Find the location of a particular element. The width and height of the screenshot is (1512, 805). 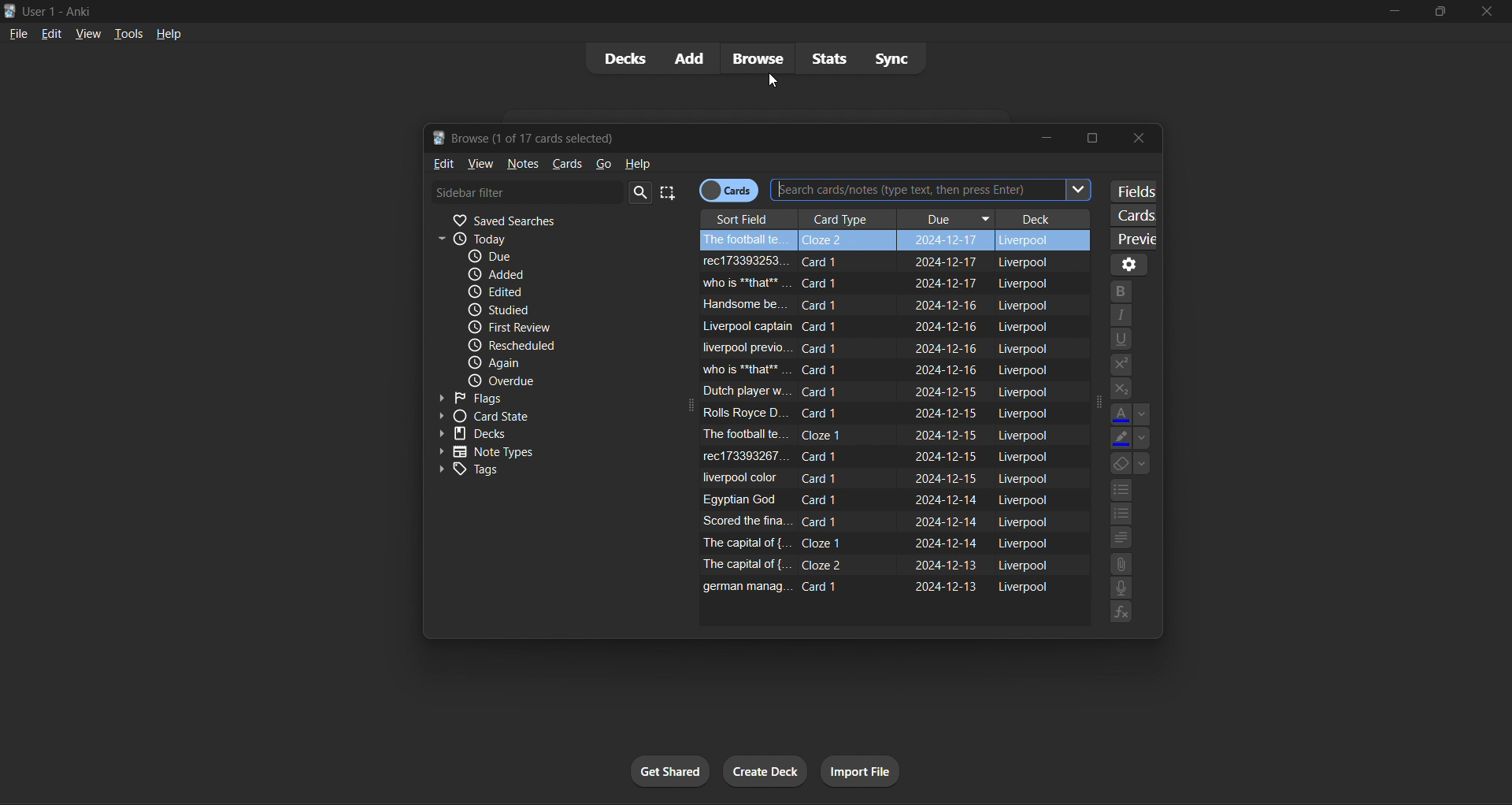

liverpool is located at coordinates (1028, 370).